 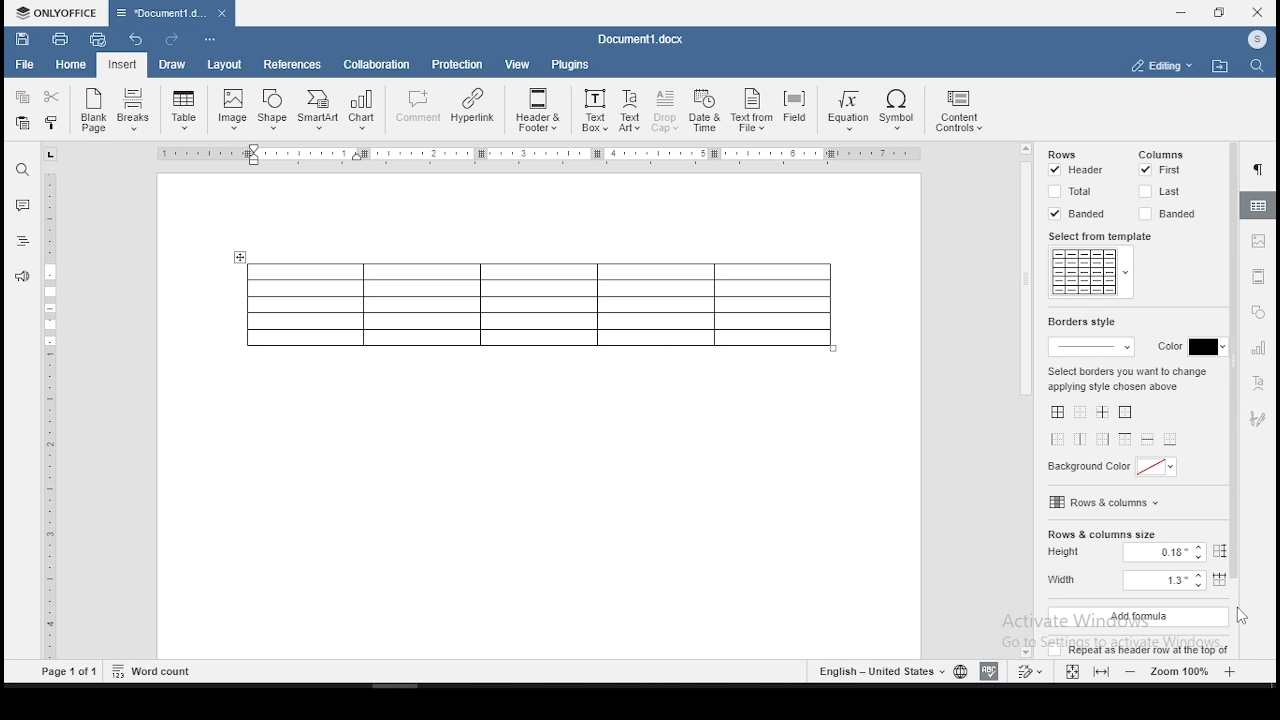 I want to click on SmartArt, so click(x=317, y=110).